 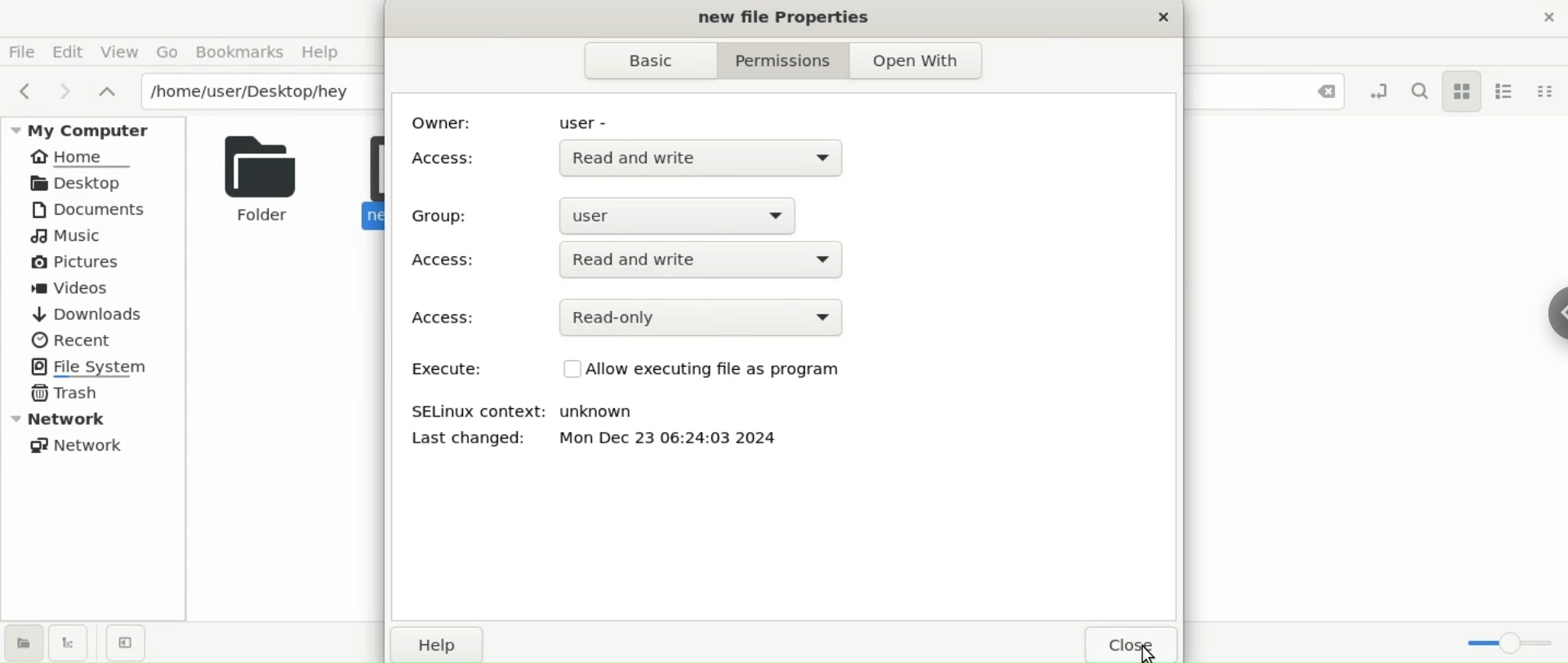 I want to click on Help, so click(x=436, y=644).